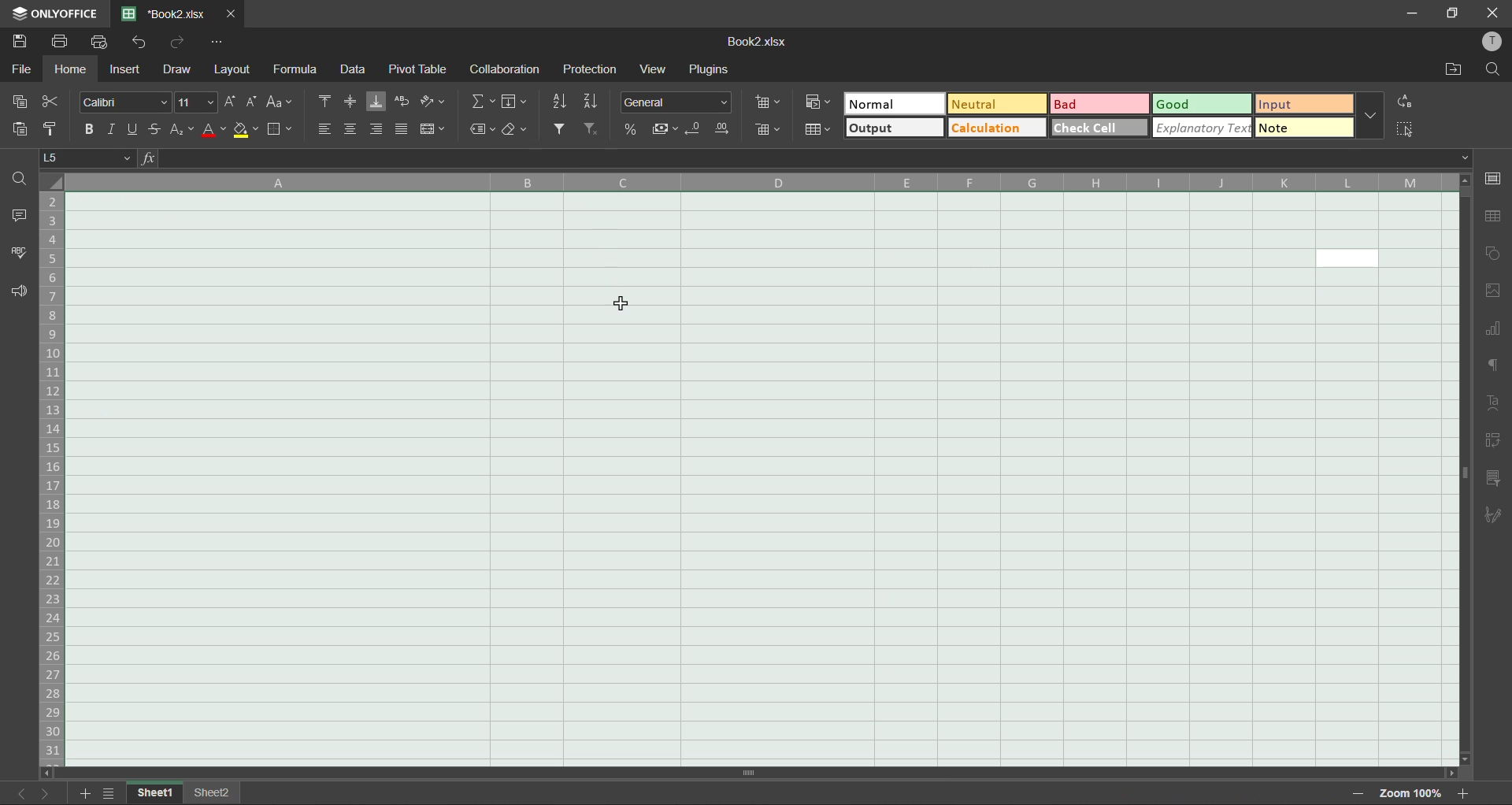 Image resolution: width=1512 pixels, height=805 pixels. What do you see at coordinates (1489, 43) in the screenshot?
I see `profile` at bounding box center [1489, 43].